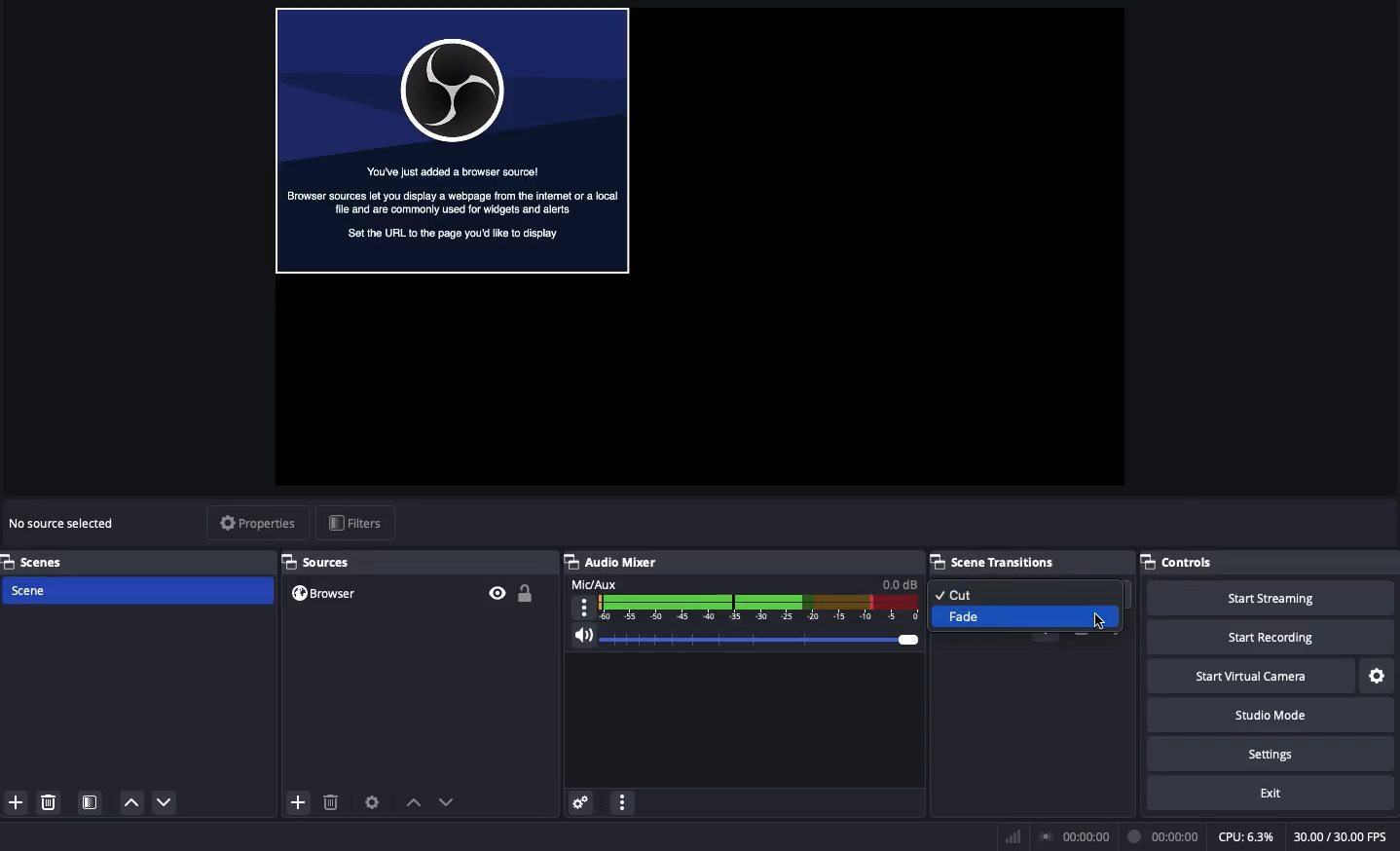 The image size is (1400, 851). Describe the element at coordinates (1033, 592) in the screenshot. I see `Cut` at that location.